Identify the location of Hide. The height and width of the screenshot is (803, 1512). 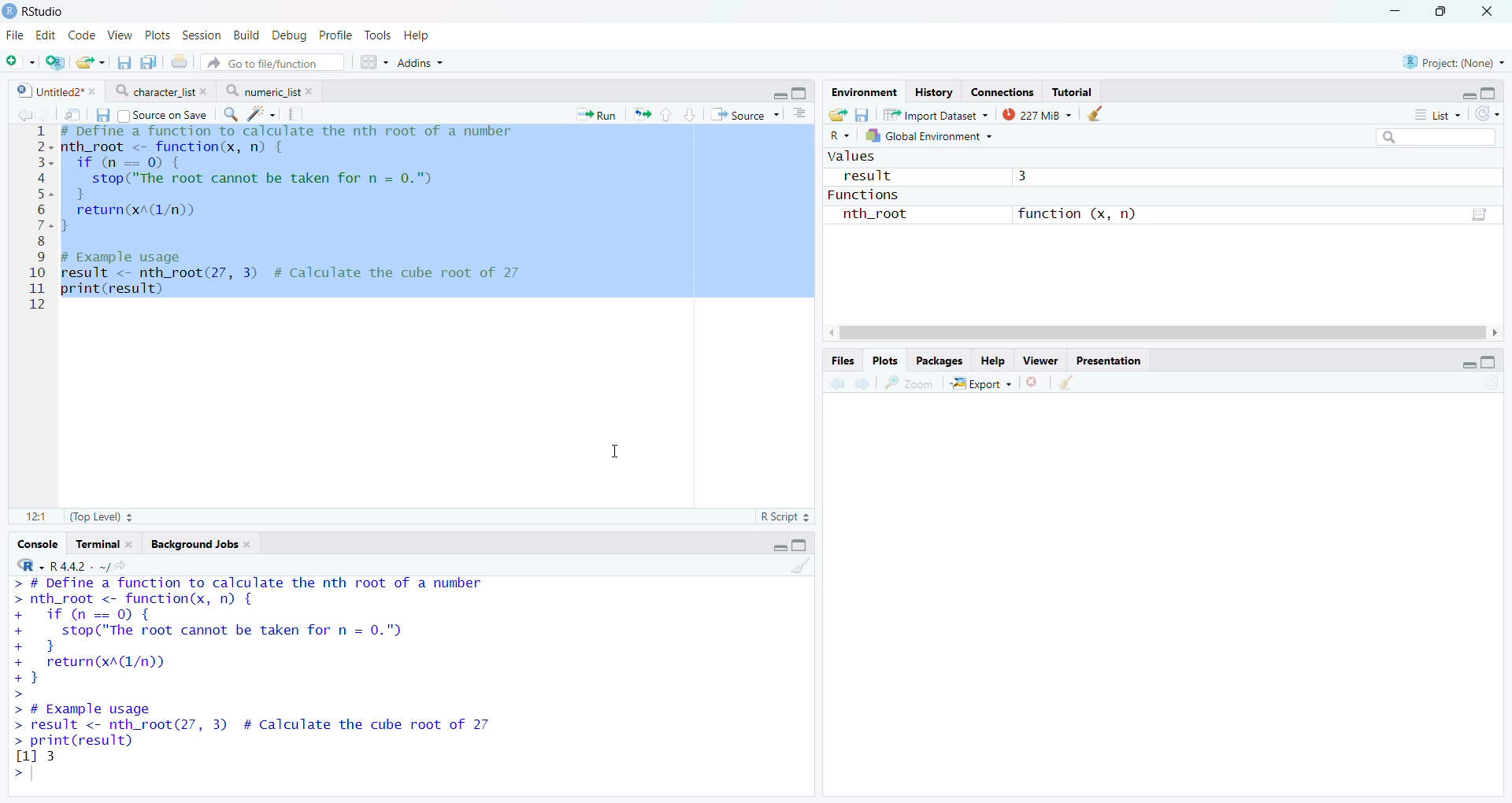
(1468, 94).